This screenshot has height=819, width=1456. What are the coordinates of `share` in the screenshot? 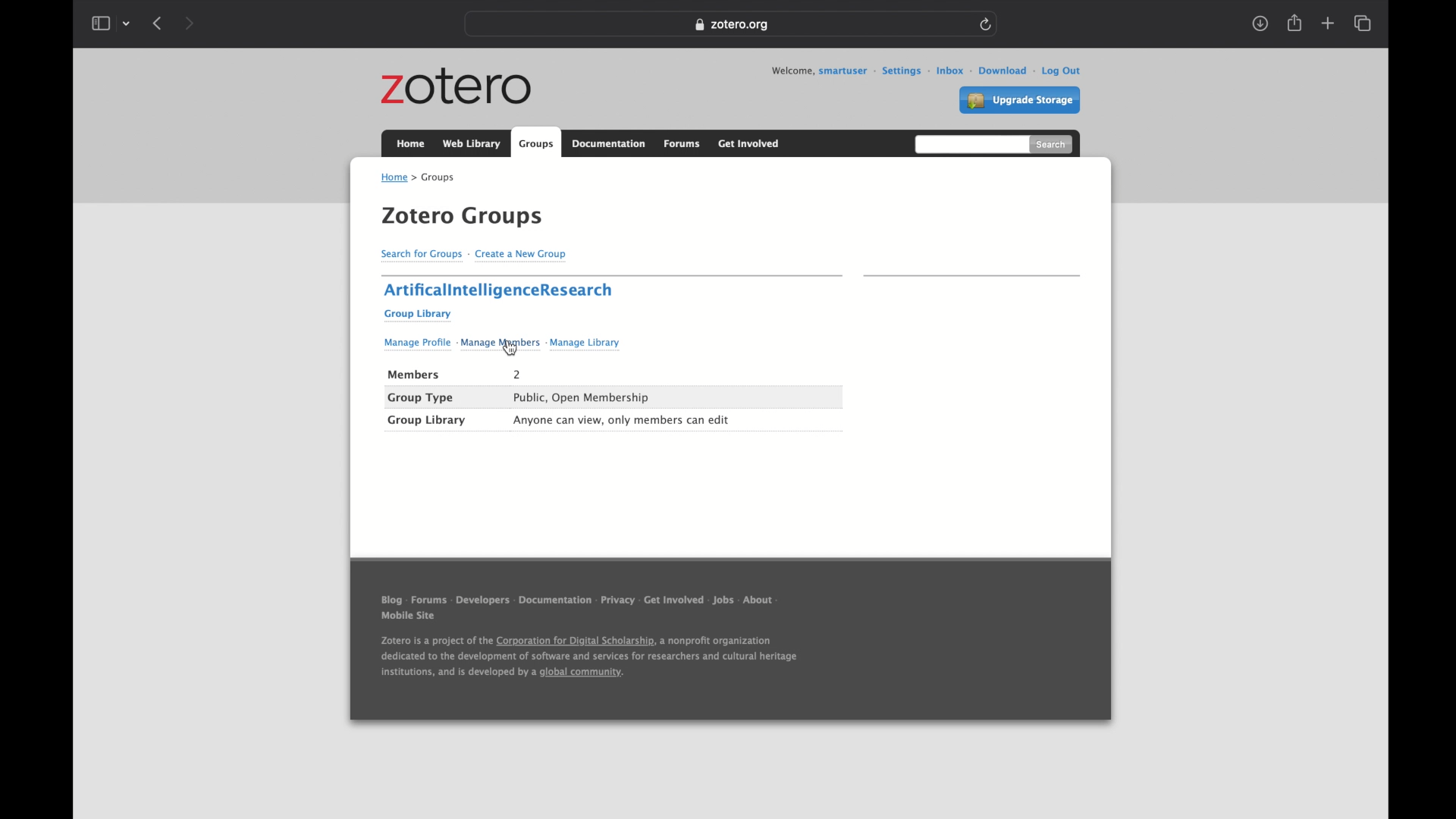 It's located at (1294, 23).